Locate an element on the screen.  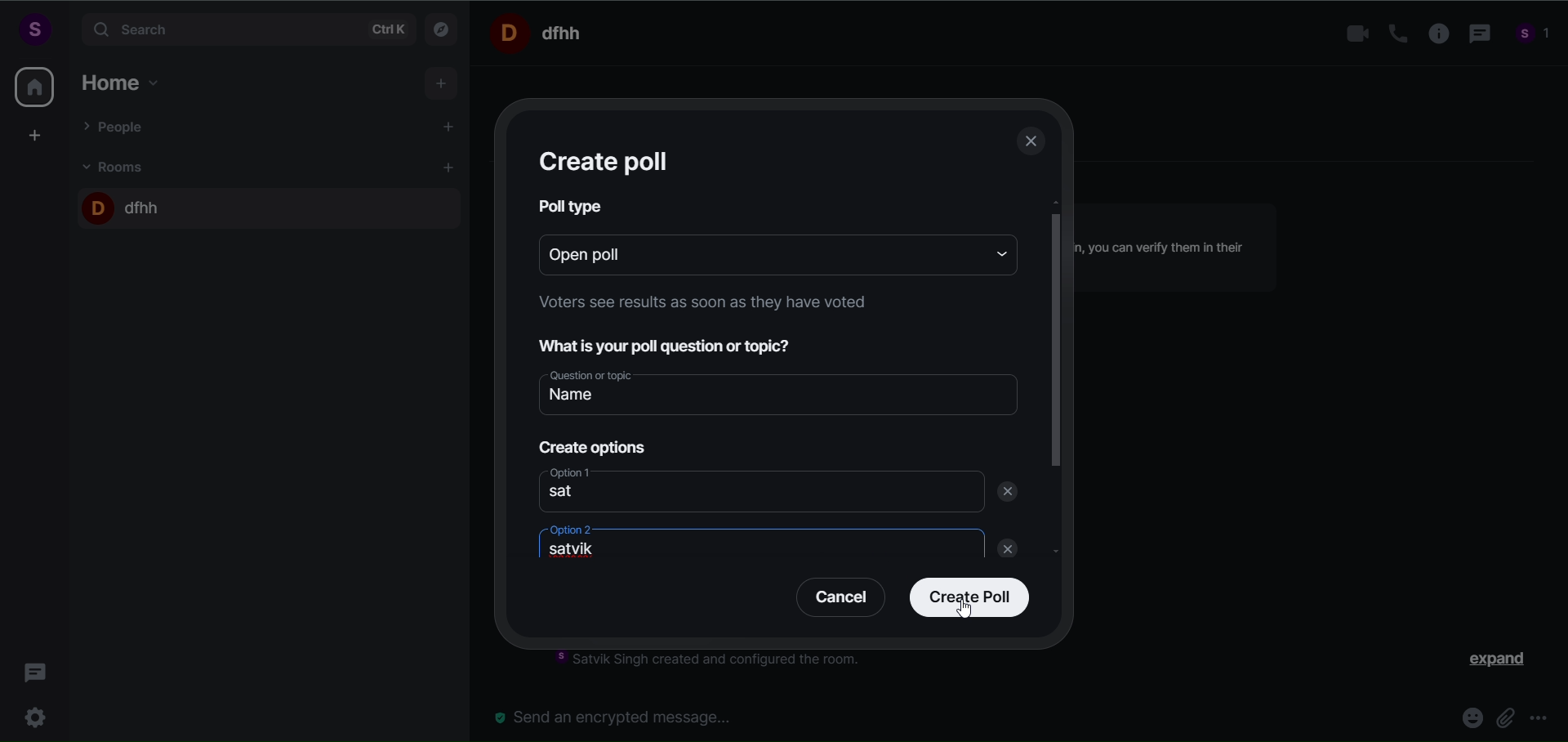
explore room is located at coordinates (443, 28).